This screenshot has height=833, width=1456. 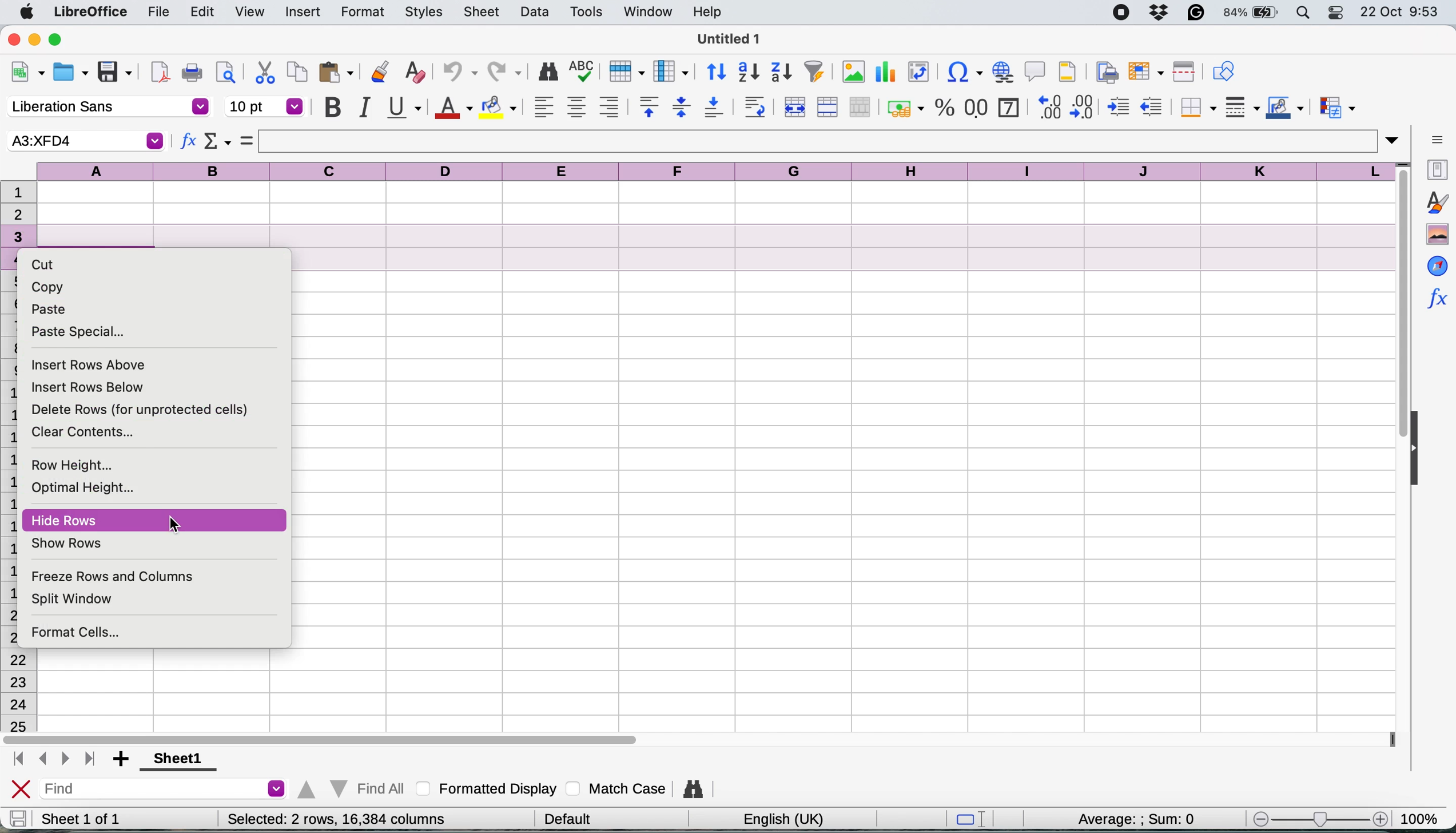 What do you see at coordinates (18, 818) in the screenshot?
I see `save` at bounding box center [18, 818].